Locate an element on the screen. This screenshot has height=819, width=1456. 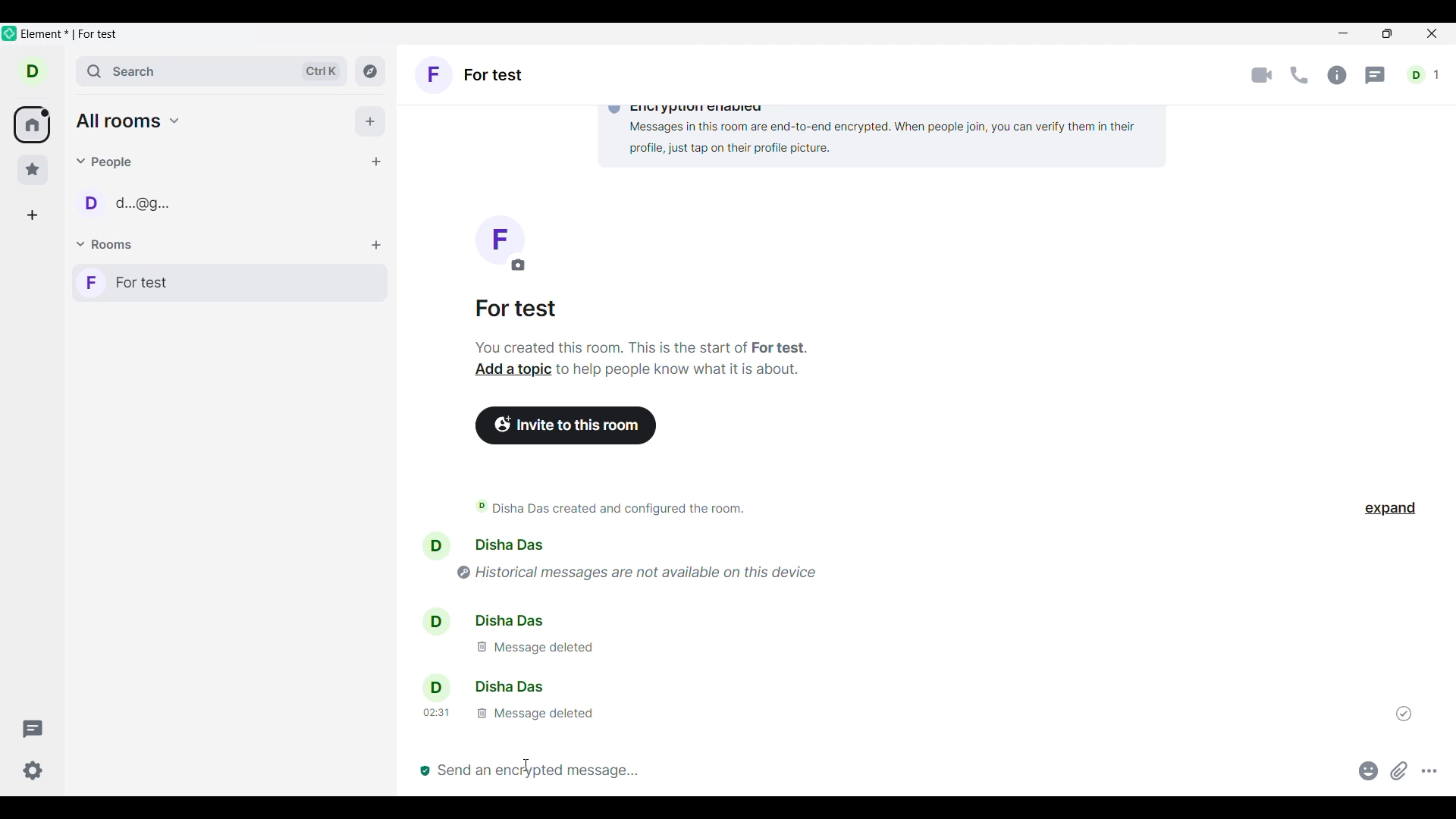
Room info is located at coordinates (1337, 75).